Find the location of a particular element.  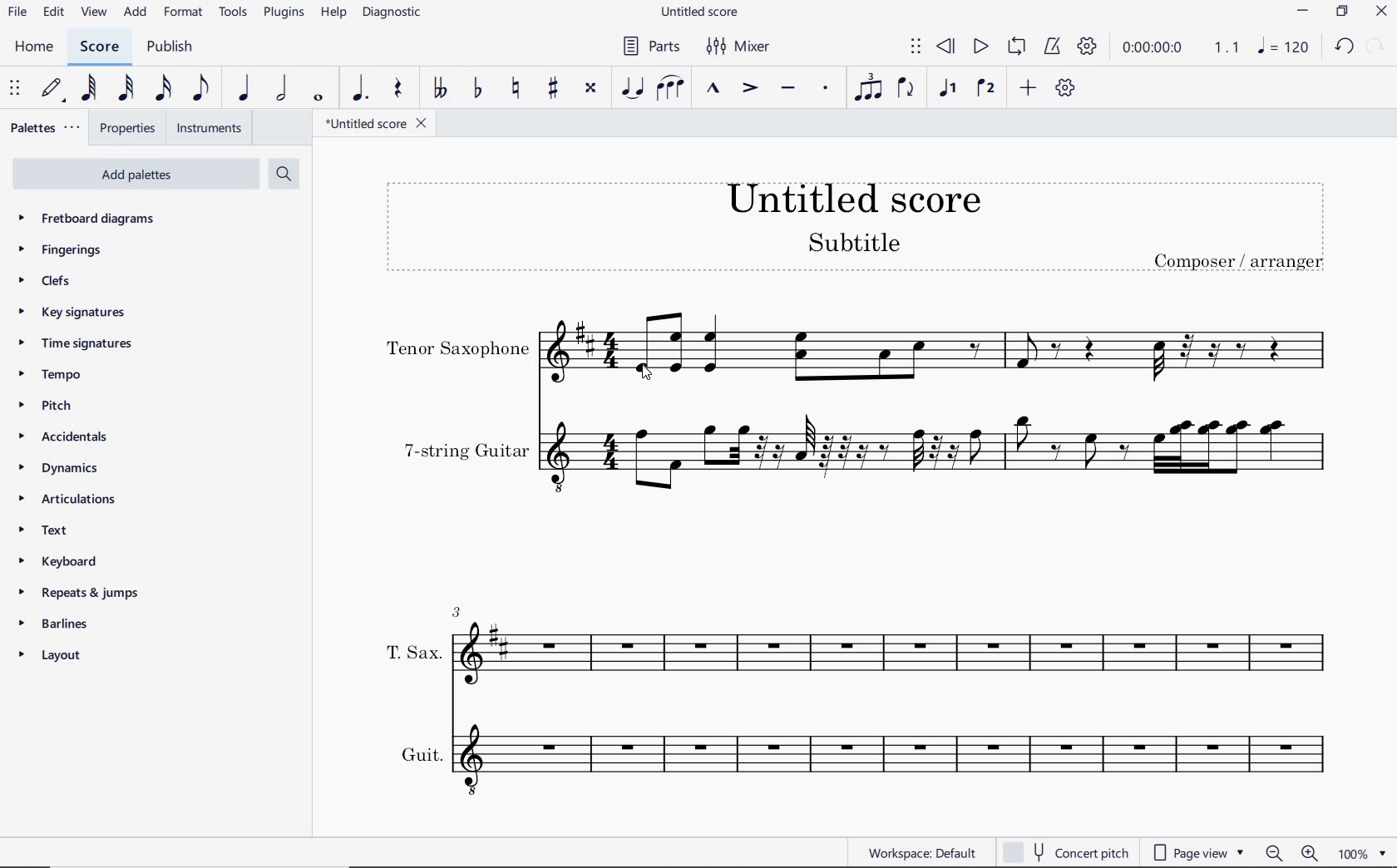

DEFAULT (STEP TIME) is located at coordinates (55, 87).